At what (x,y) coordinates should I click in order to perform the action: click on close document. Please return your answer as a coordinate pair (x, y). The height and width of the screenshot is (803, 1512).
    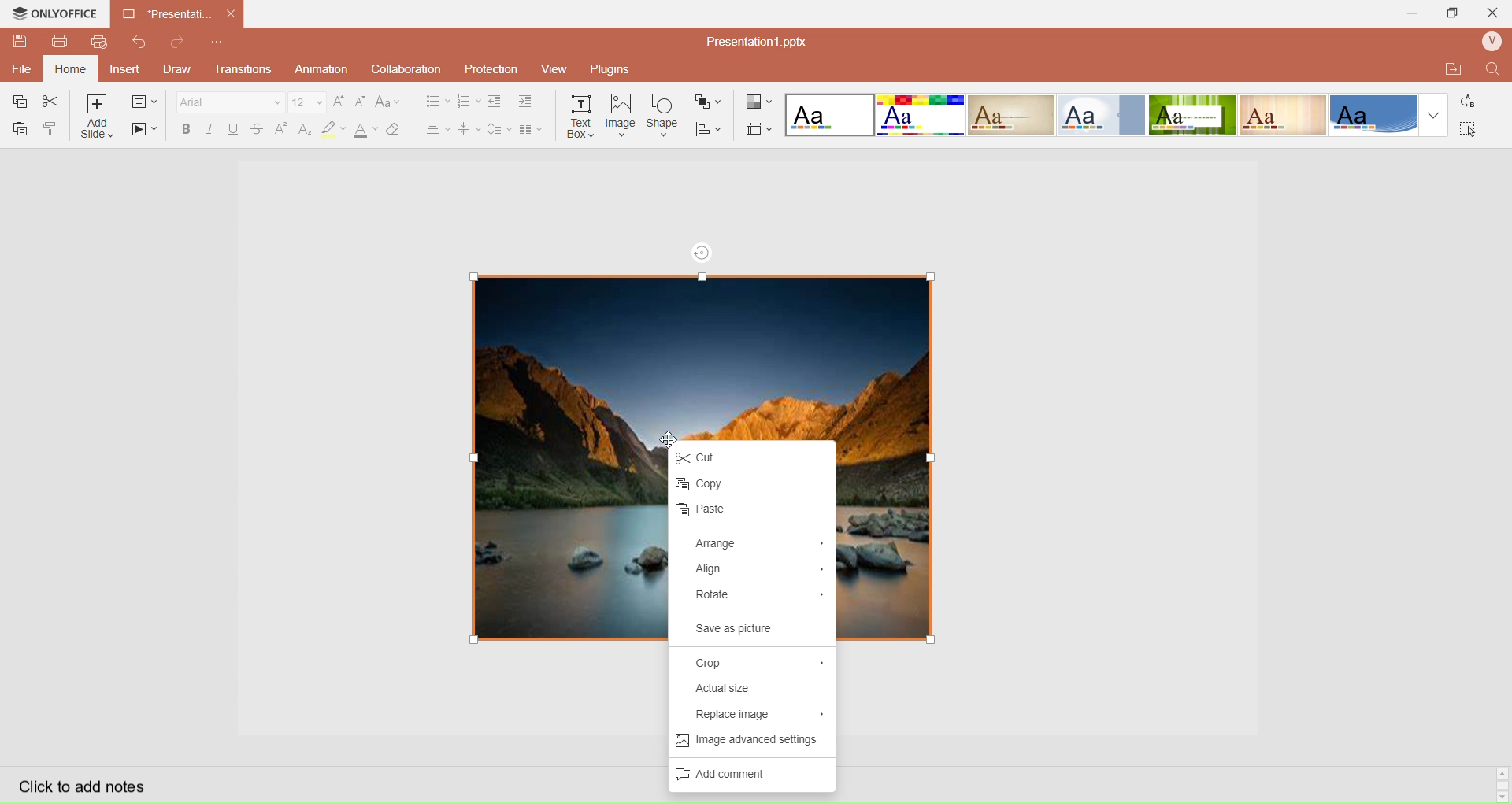
    Looking at the image, I should click on (234, 15).